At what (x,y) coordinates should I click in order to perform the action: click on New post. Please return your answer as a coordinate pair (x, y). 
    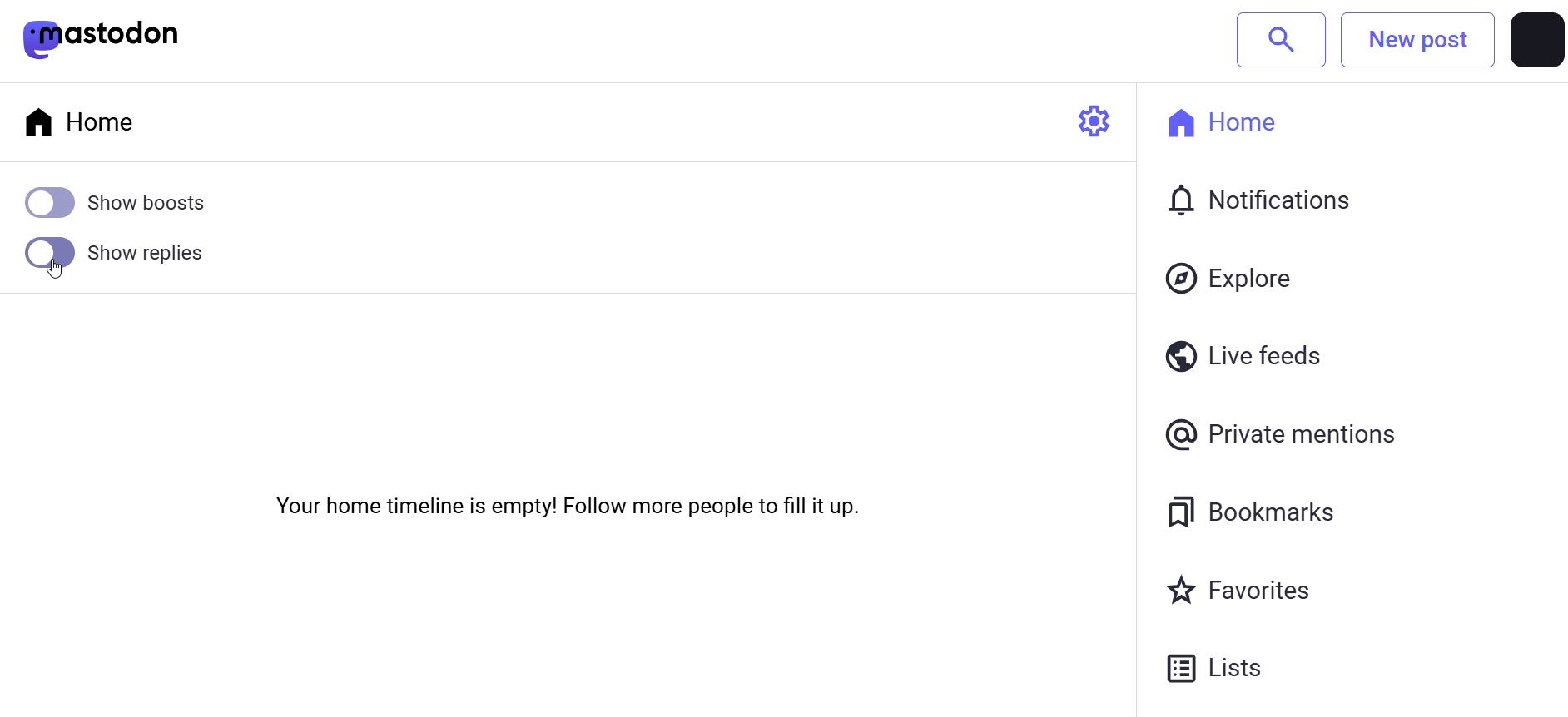
    Looking at the image, I should click on (1419, 40).